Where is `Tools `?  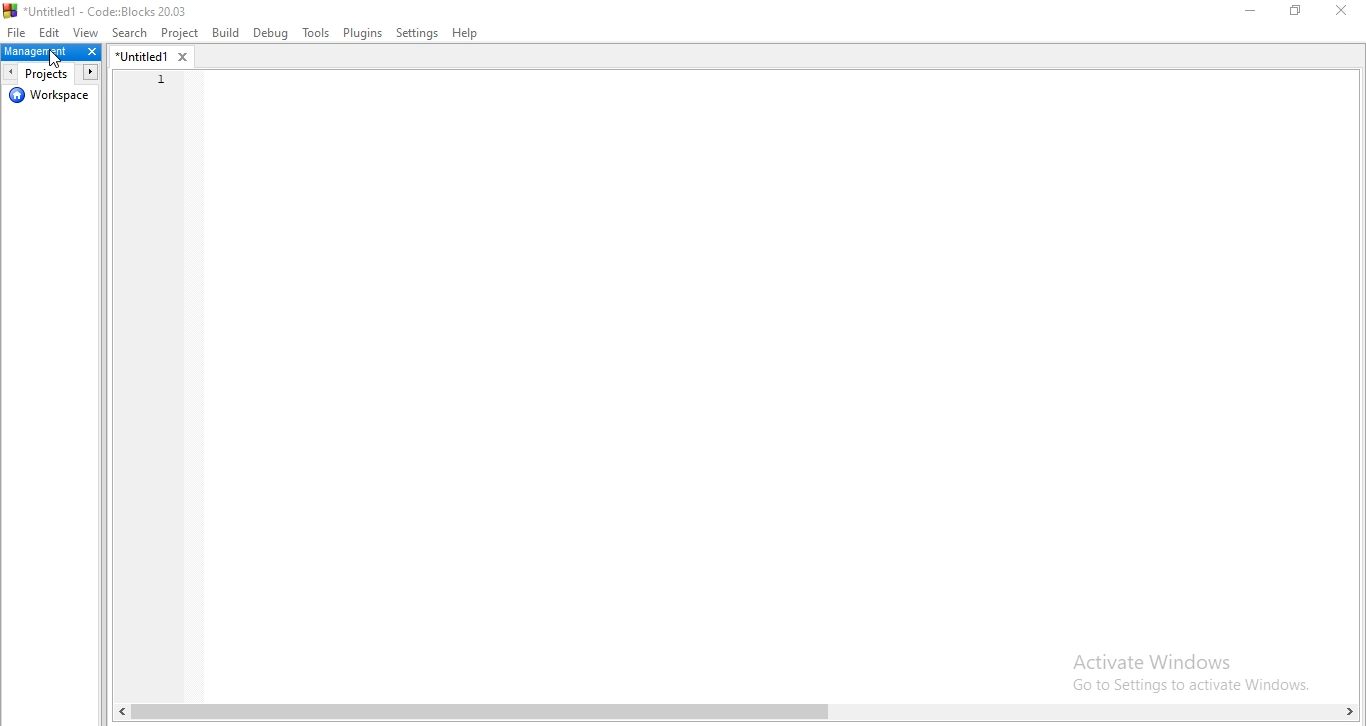 Tools  is located at coordinates (314, 33).